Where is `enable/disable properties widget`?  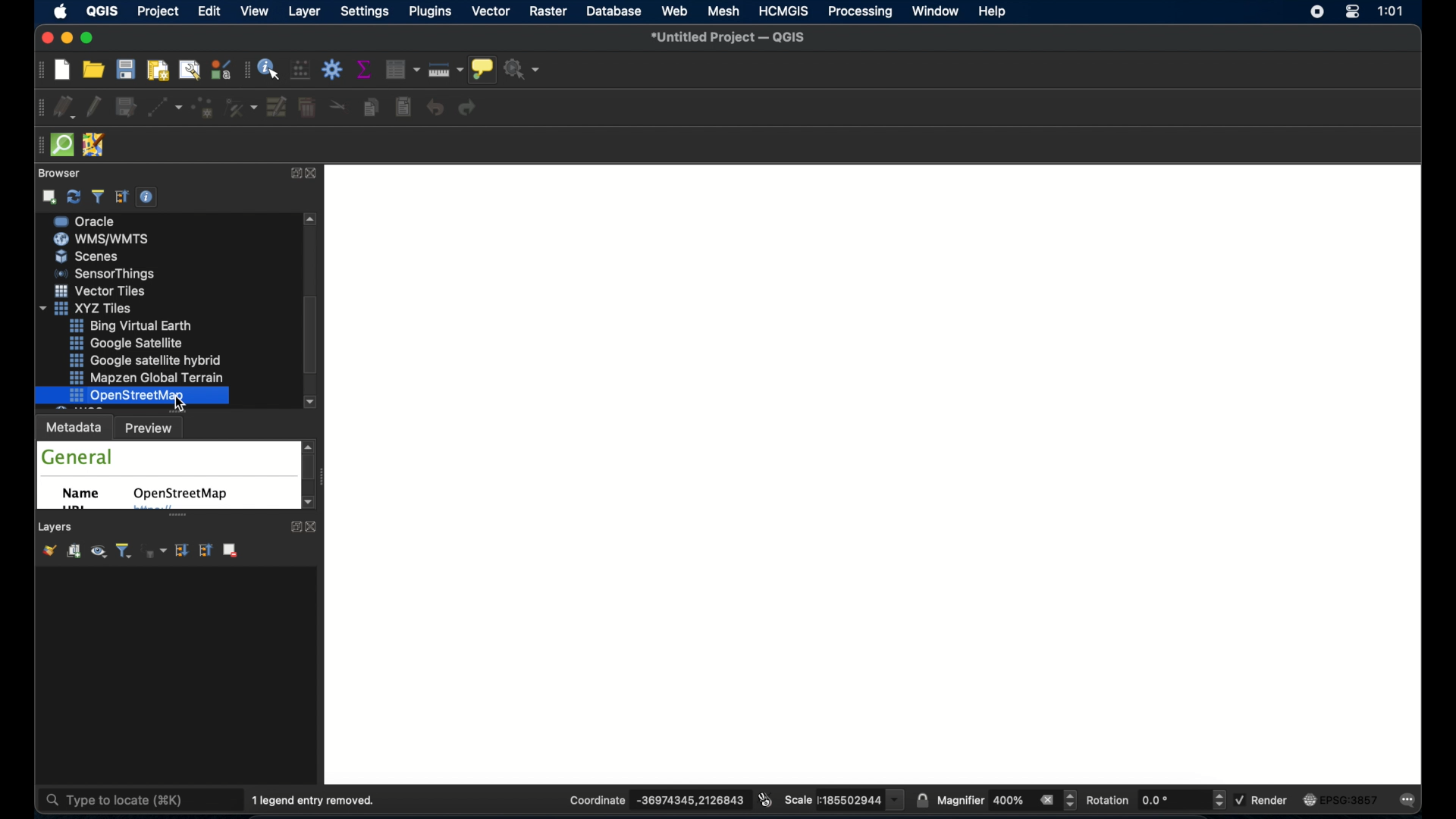
enable/disable properties widget is located at coordinates (146, 196).